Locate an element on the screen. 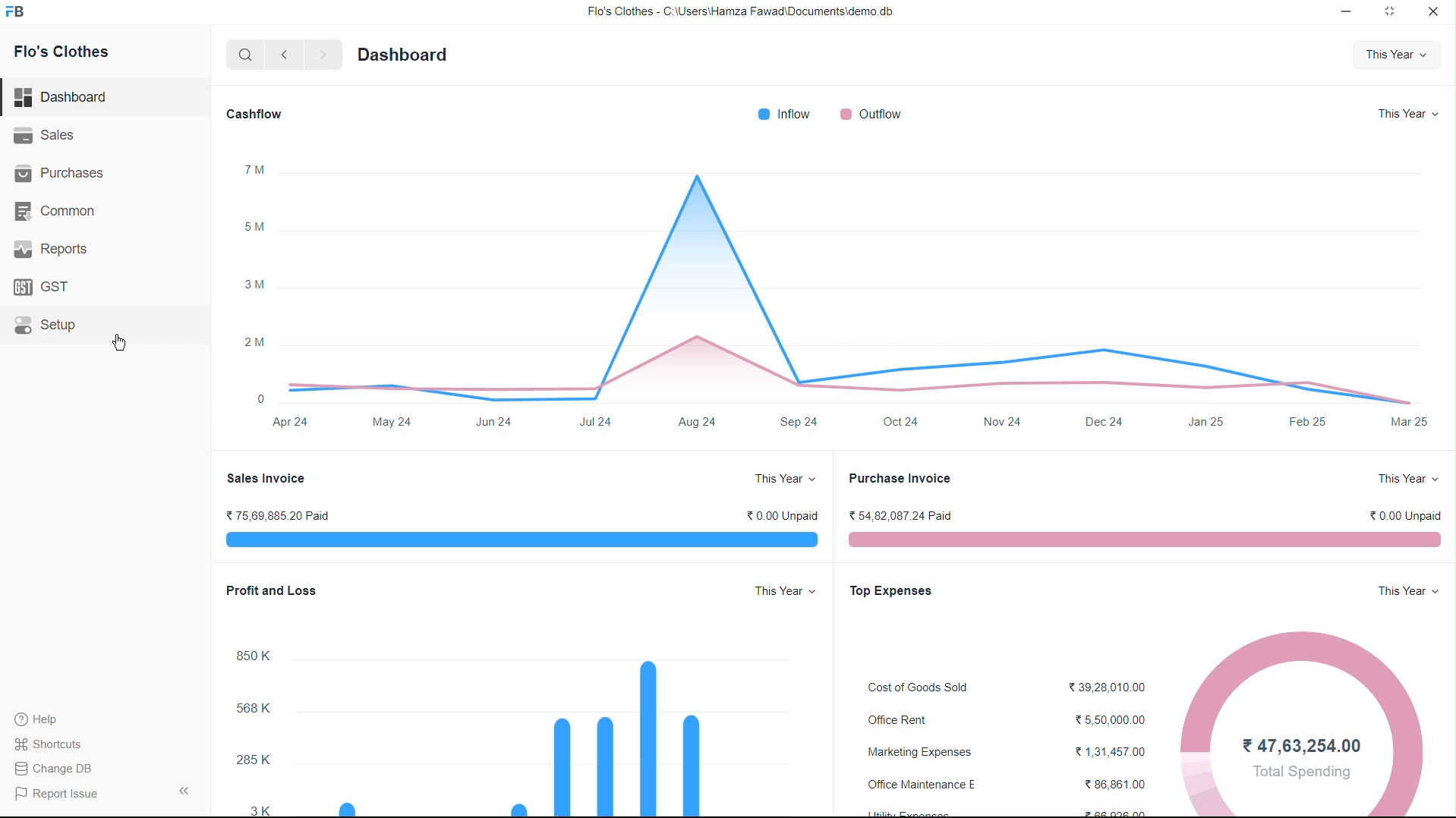  Cashflow is located at coordinates (252, 114).